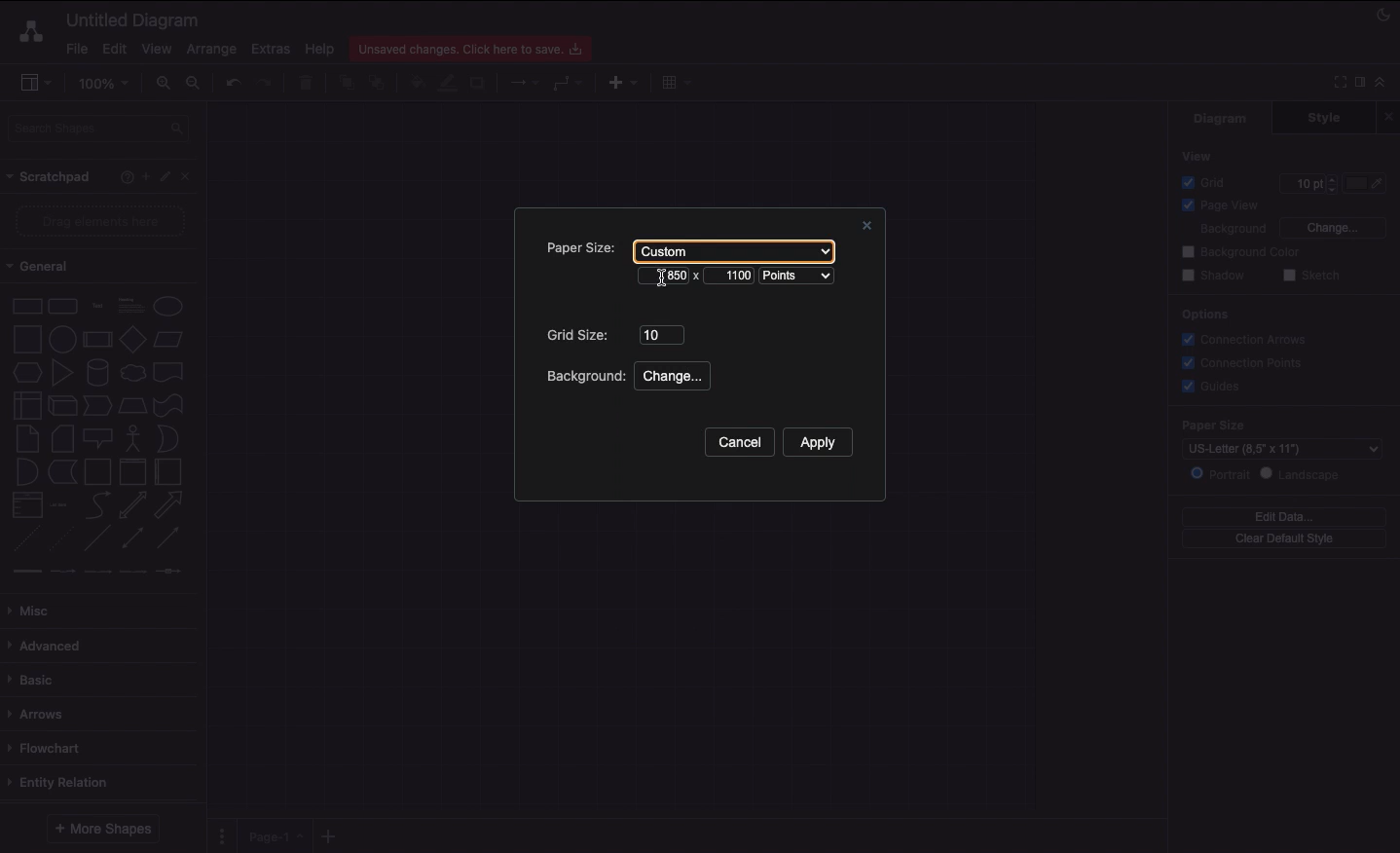 The image size is (1400, 853). I want to click on Undo, so click(232, 82).